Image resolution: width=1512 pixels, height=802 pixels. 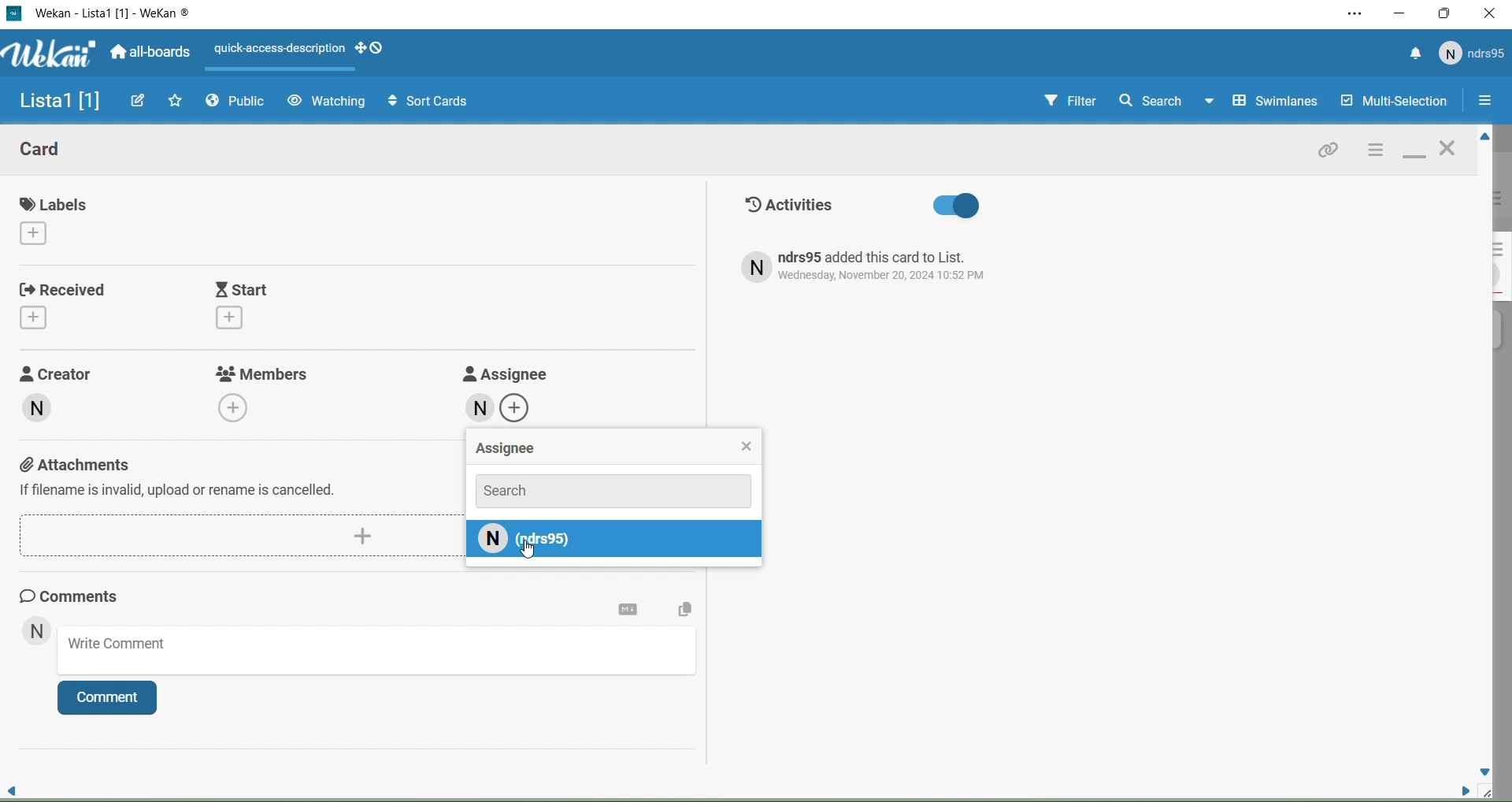 What do you see at coordinates (531, 551) in the screenshot?
I see `cursor` at bounding box center [531, 551].